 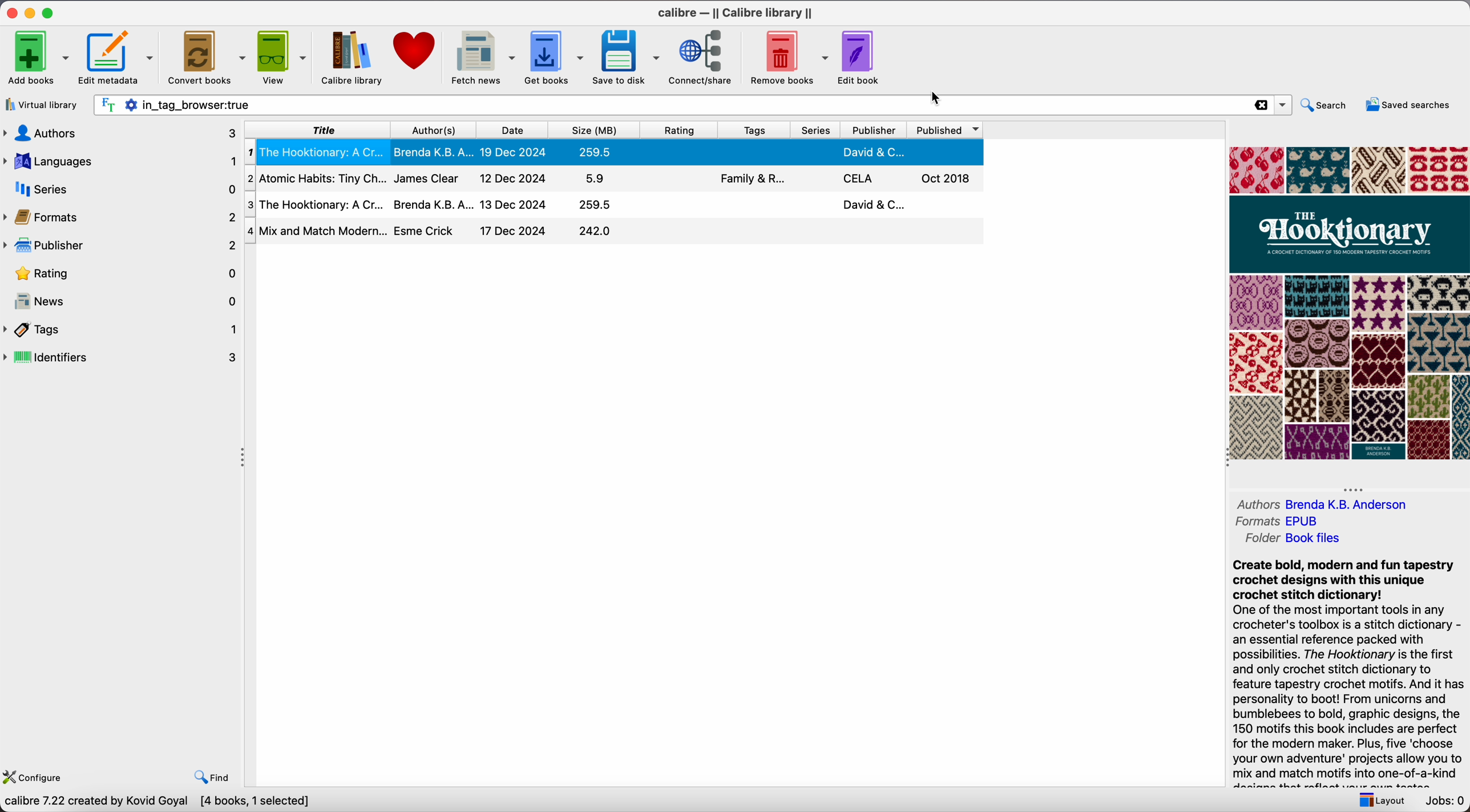 I want to click on connect/share, so click(x=705, y=56).